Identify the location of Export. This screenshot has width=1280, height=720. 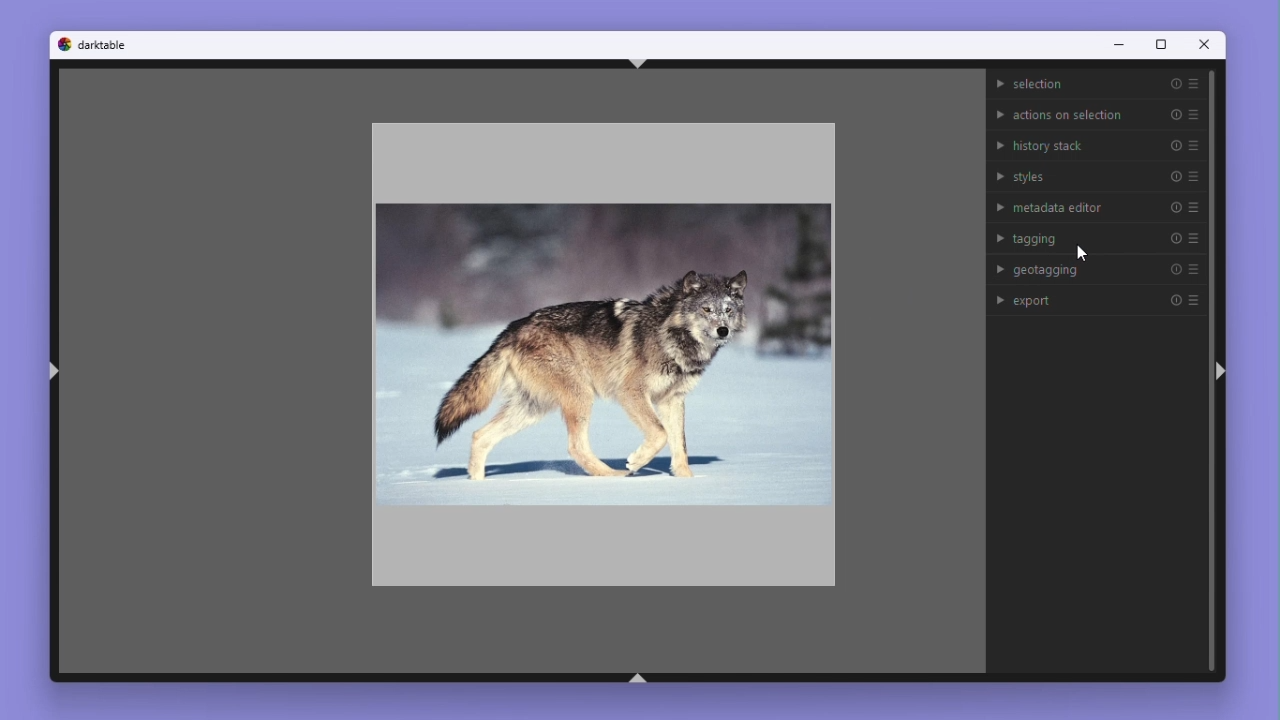
(1100, 297).